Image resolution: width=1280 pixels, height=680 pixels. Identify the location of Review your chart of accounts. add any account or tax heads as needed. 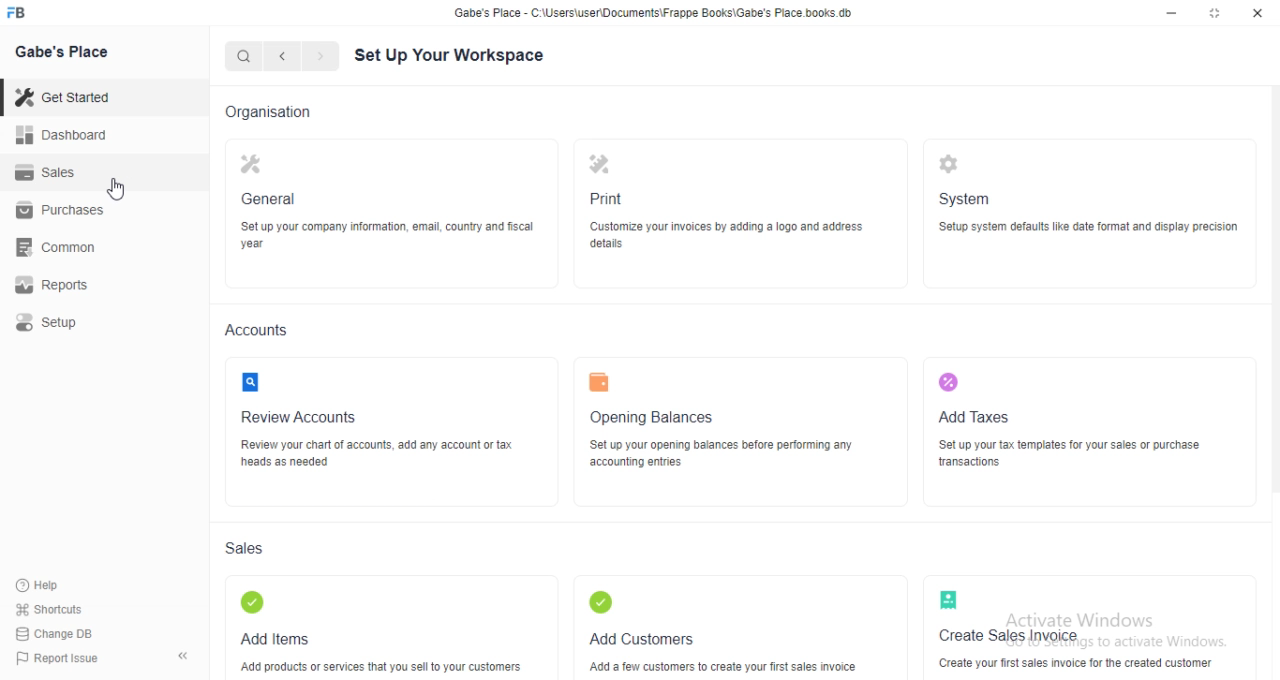
(384, 456).